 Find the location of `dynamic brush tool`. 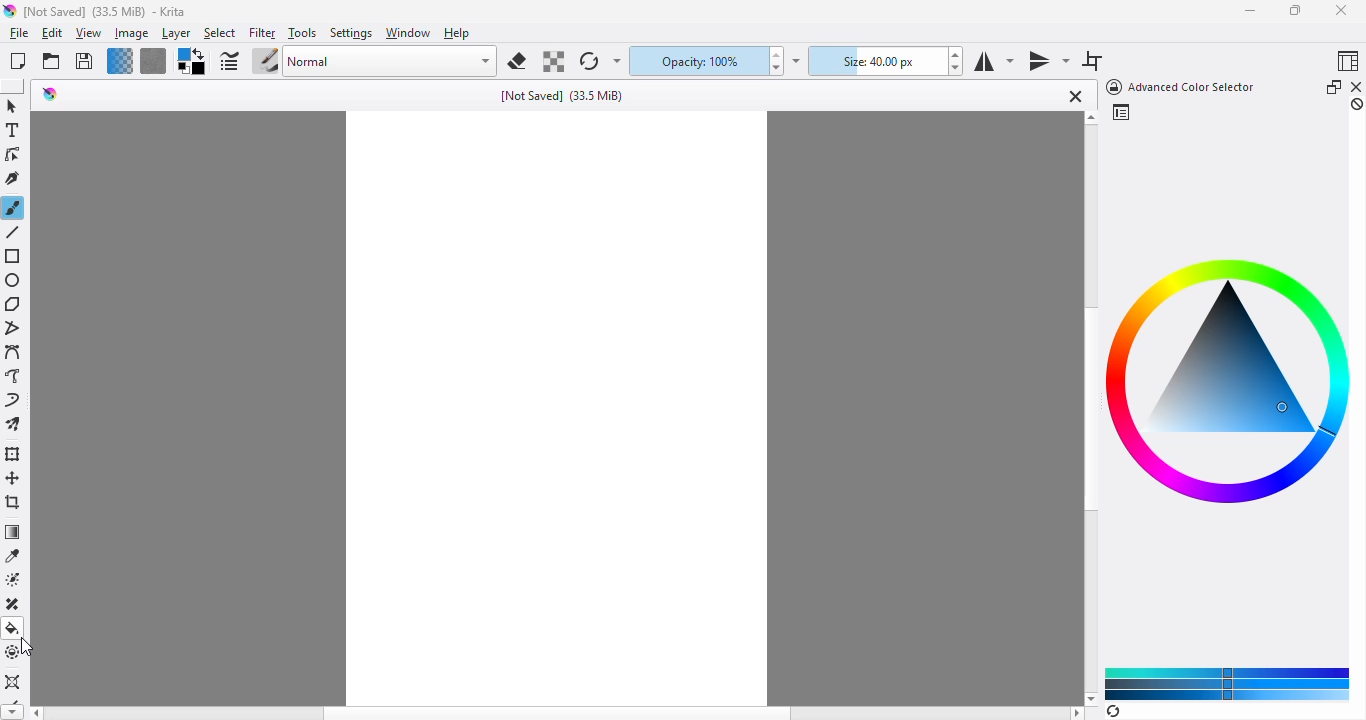

dynamic brush tool is located at coordinates (12, 399).